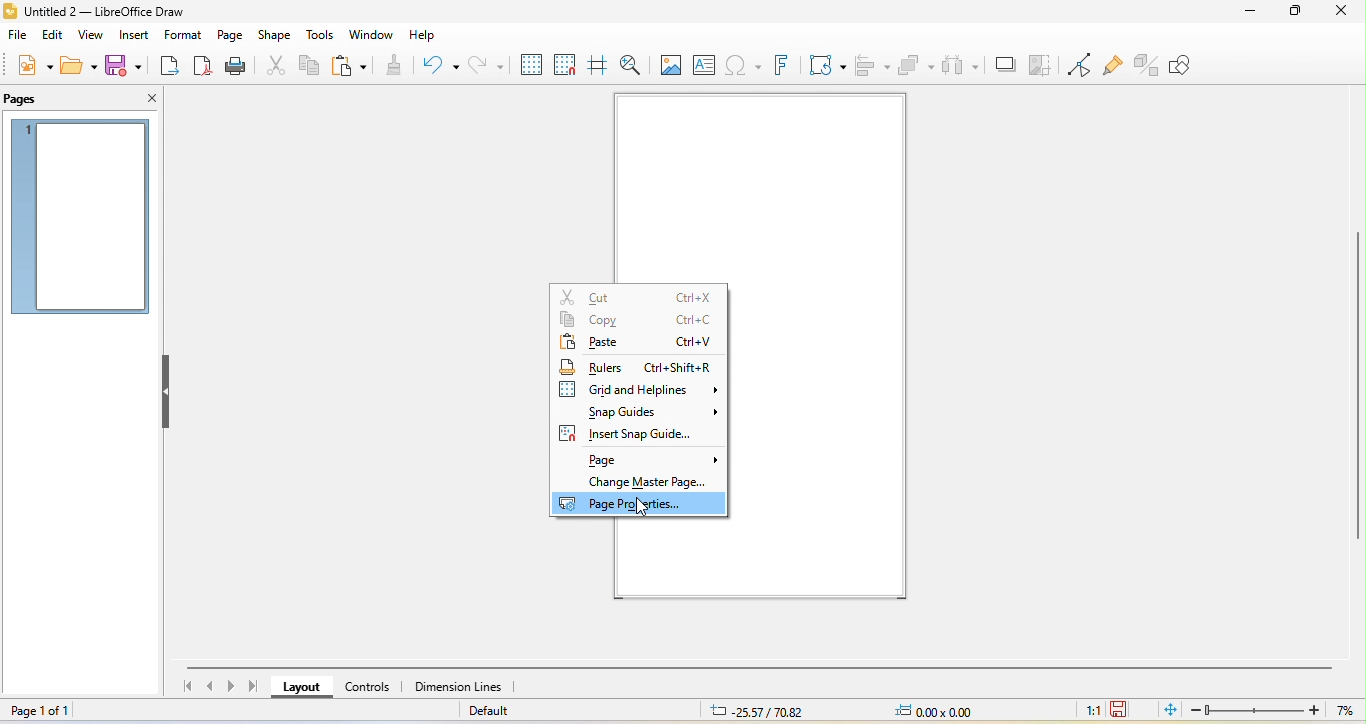 This screenshot has width=1366, height=724. Describe the element at coordinates (32, 66) in the screenshot. I see `new` at that location.